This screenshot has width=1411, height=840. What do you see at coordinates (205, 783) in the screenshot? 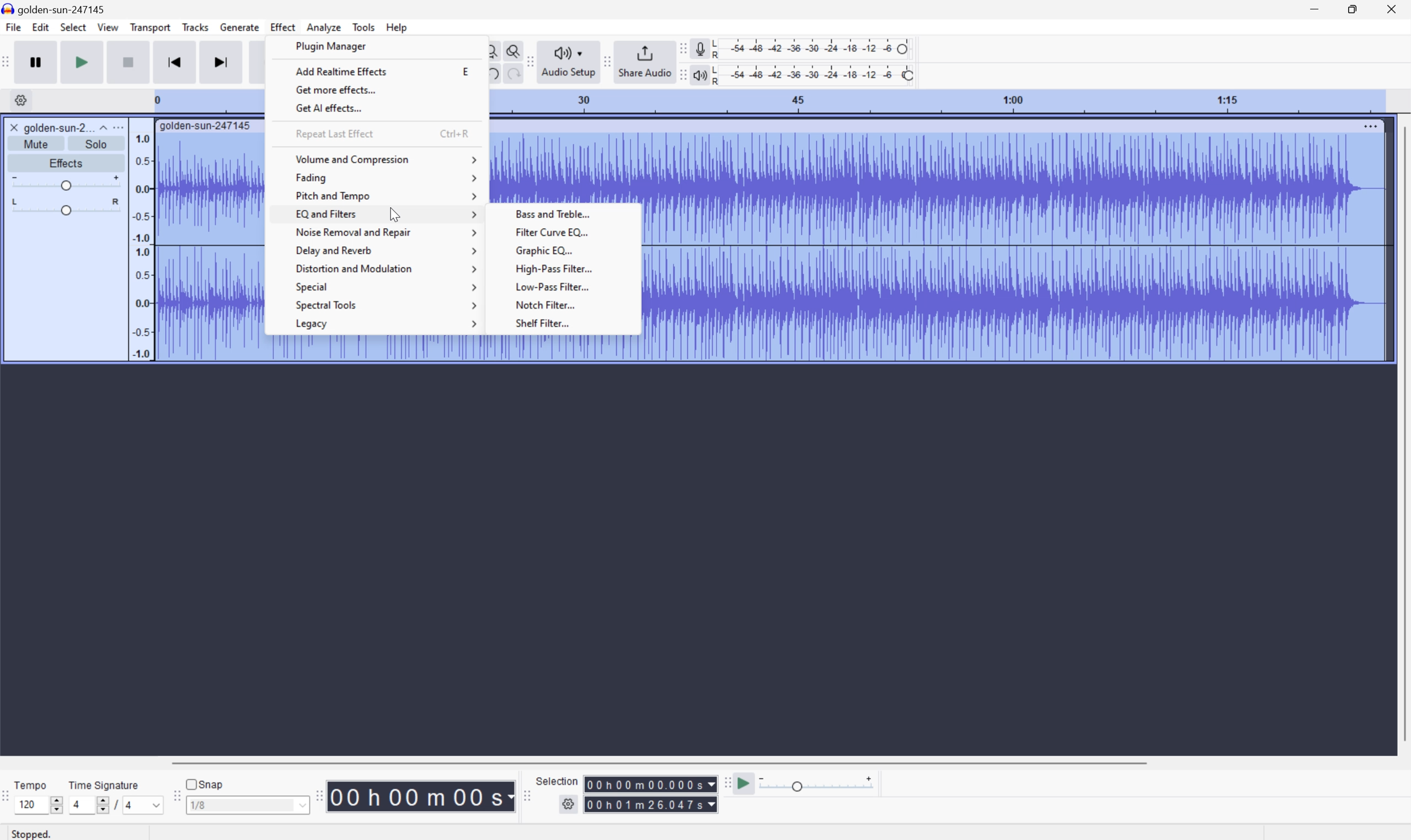
I see `Snap` at bounding box center [205, 783].